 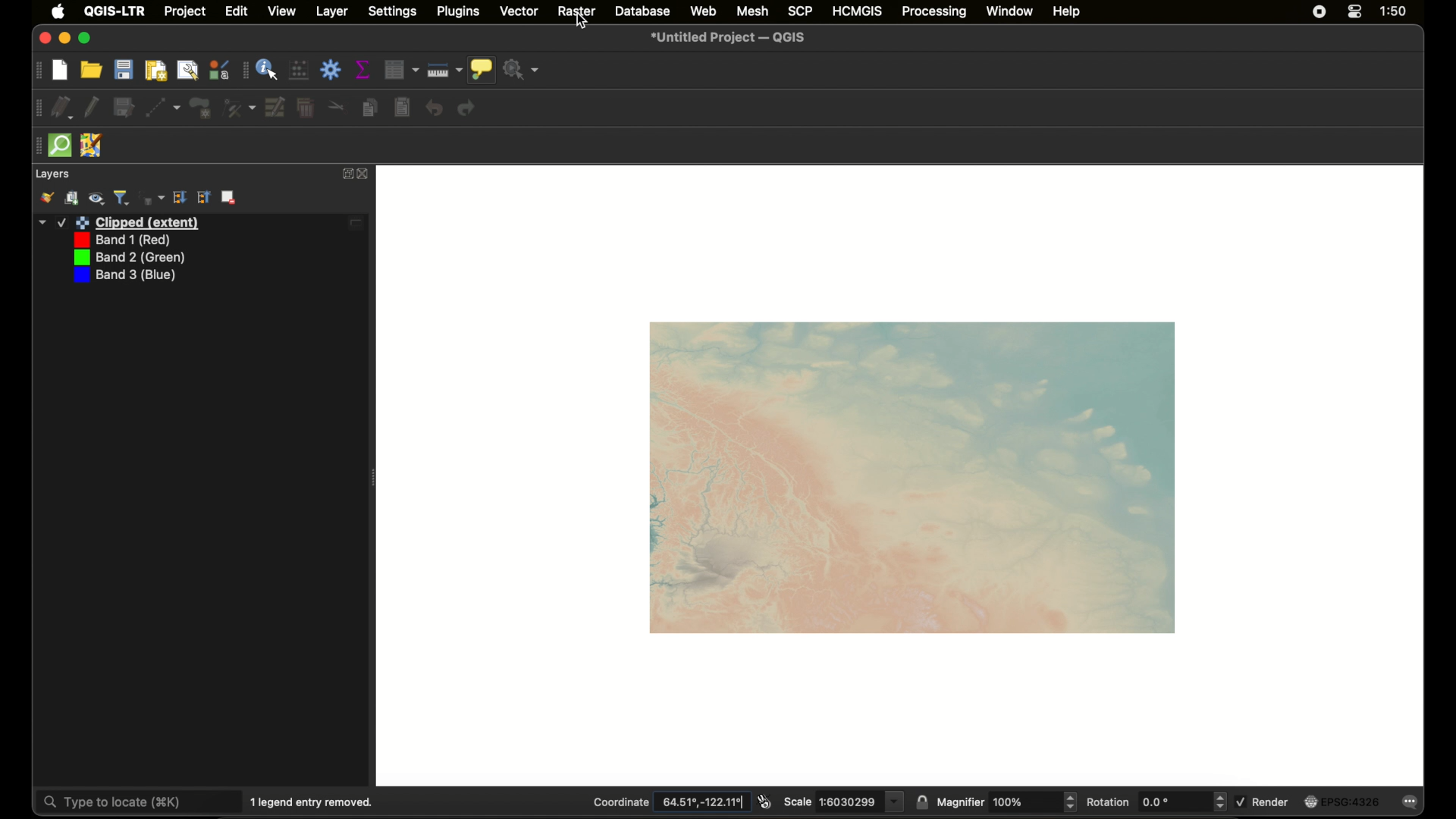 What do you see at coordinates (522, 70) in the screenshot?
I see `no action selected` at bounding box center [522, 70].